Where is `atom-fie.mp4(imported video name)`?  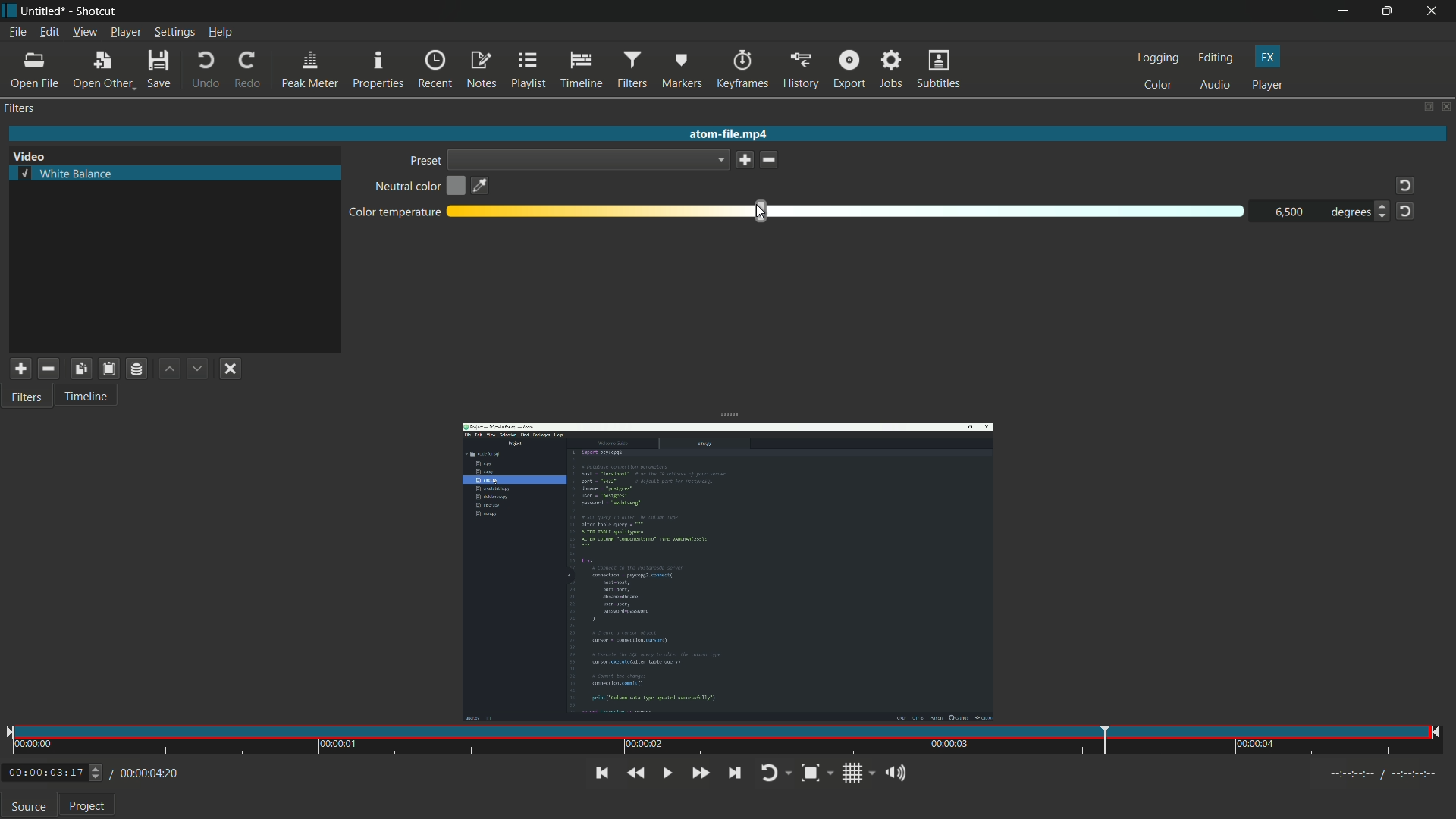 atom-fie.mp4(imported video name) is located at coordinates (725, 134).